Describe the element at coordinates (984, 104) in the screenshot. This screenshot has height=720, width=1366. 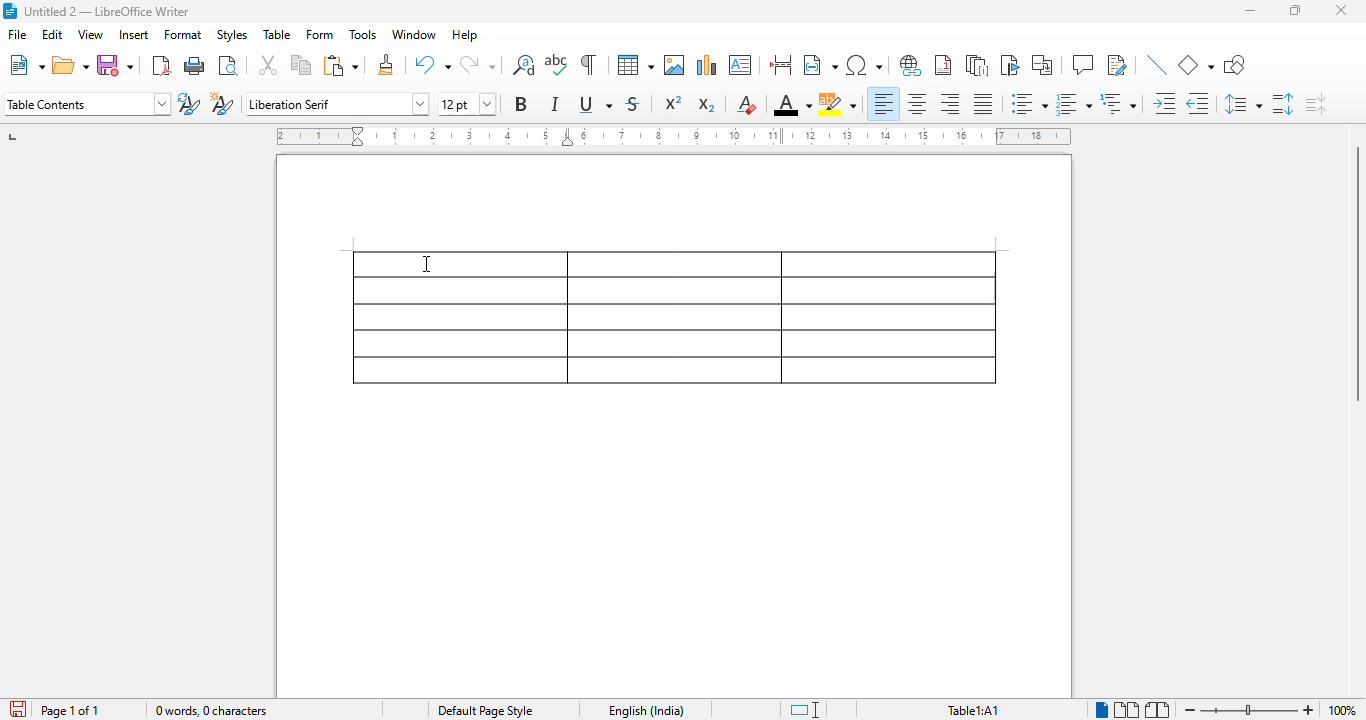
I see `justified` at that location.